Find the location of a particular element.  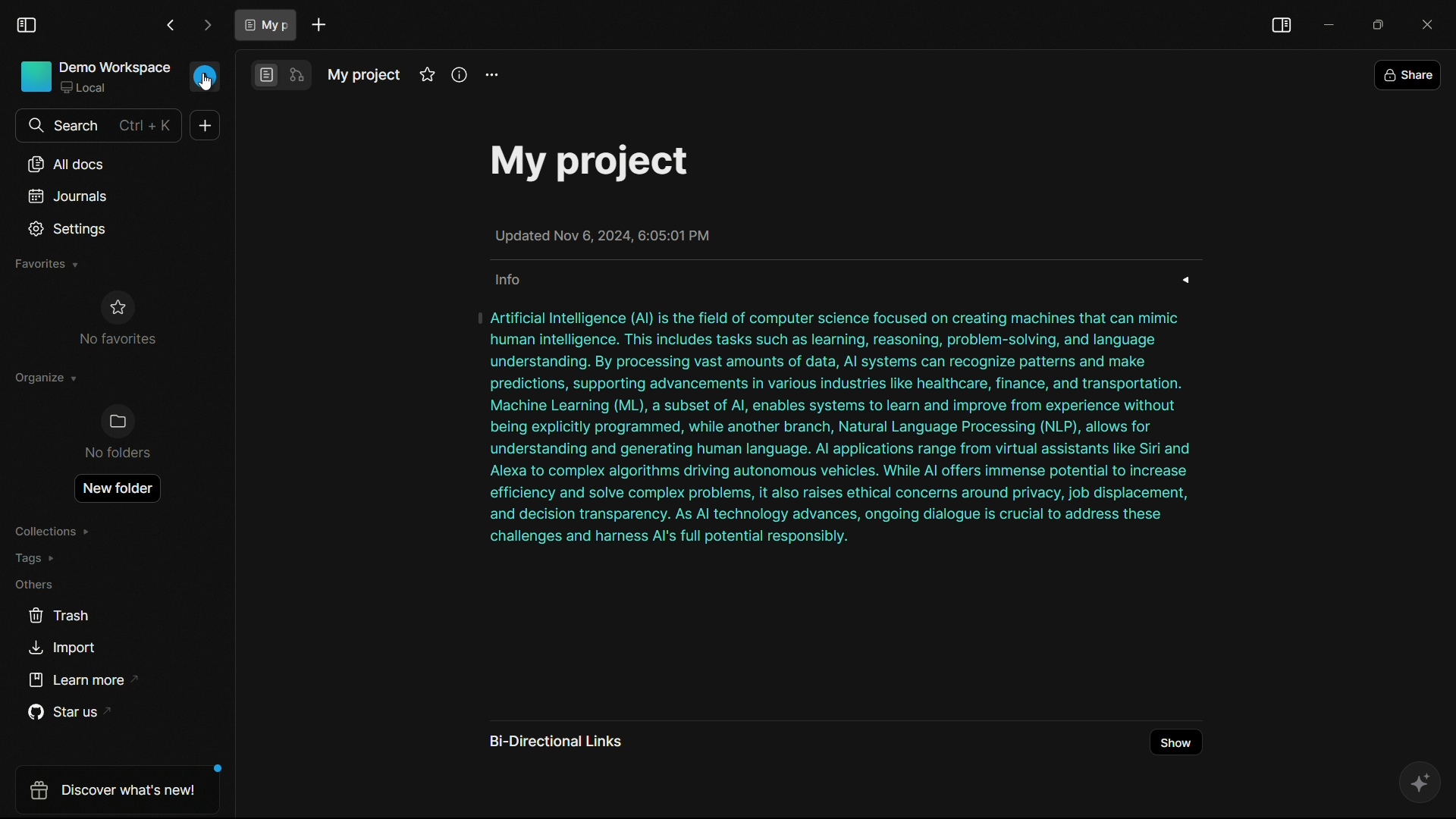

share is located at coordinates (1409, 75).